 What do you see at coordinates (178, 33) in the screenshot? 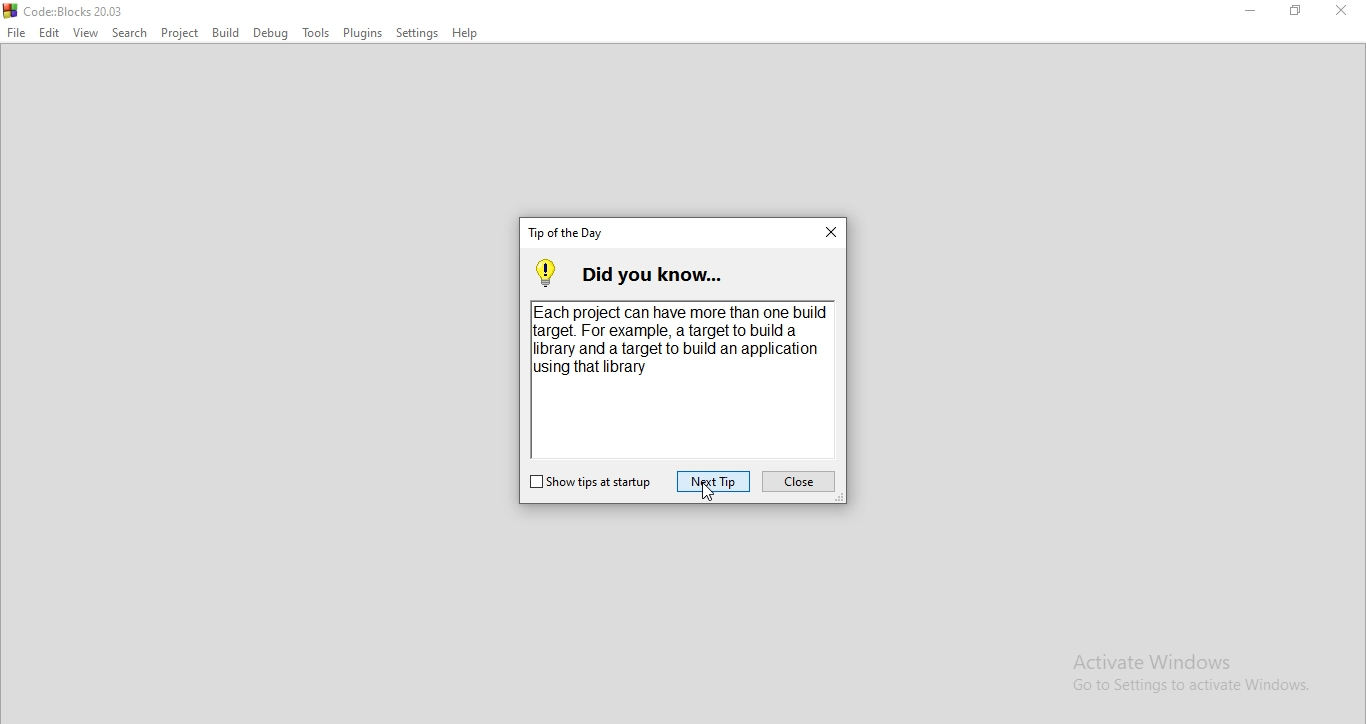
I see `Project ` at bounding box center [178, 33].